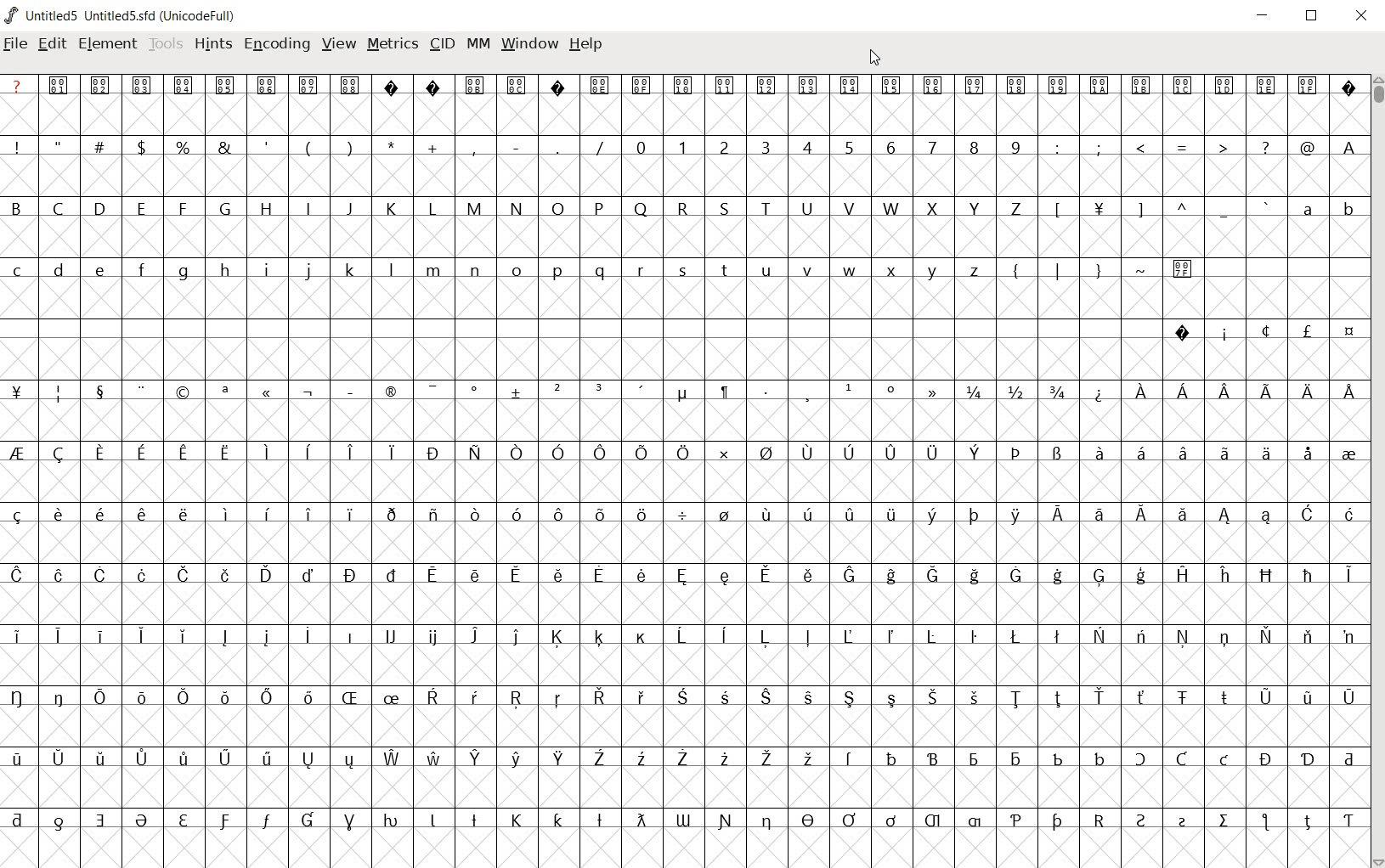 The image size is (1385, 868). What do you see at coordinates (267, 696) in the screenshot?
I see `Symbol` at bounding box center [267, 696].